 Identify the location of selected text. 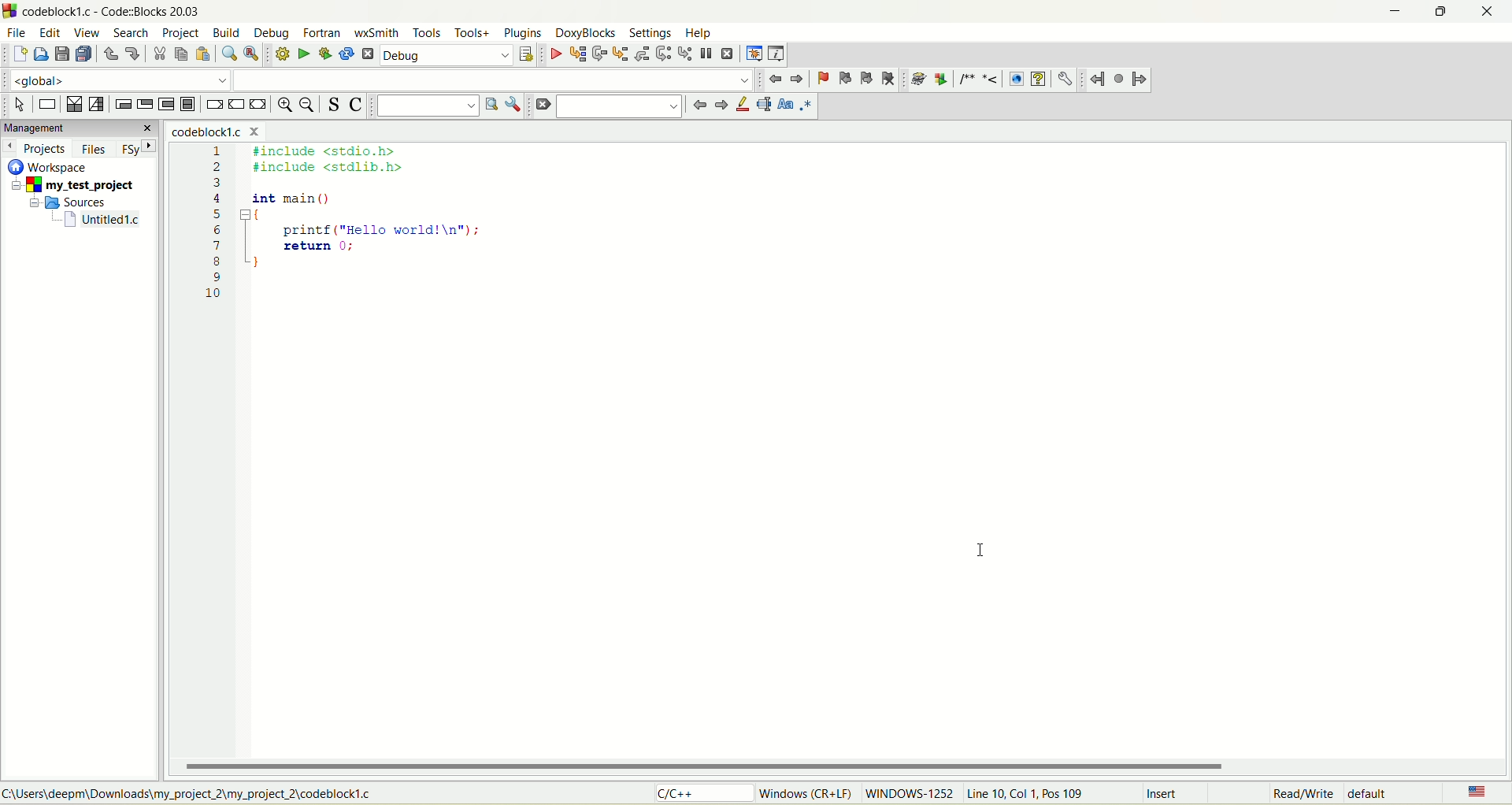
(764, 106).